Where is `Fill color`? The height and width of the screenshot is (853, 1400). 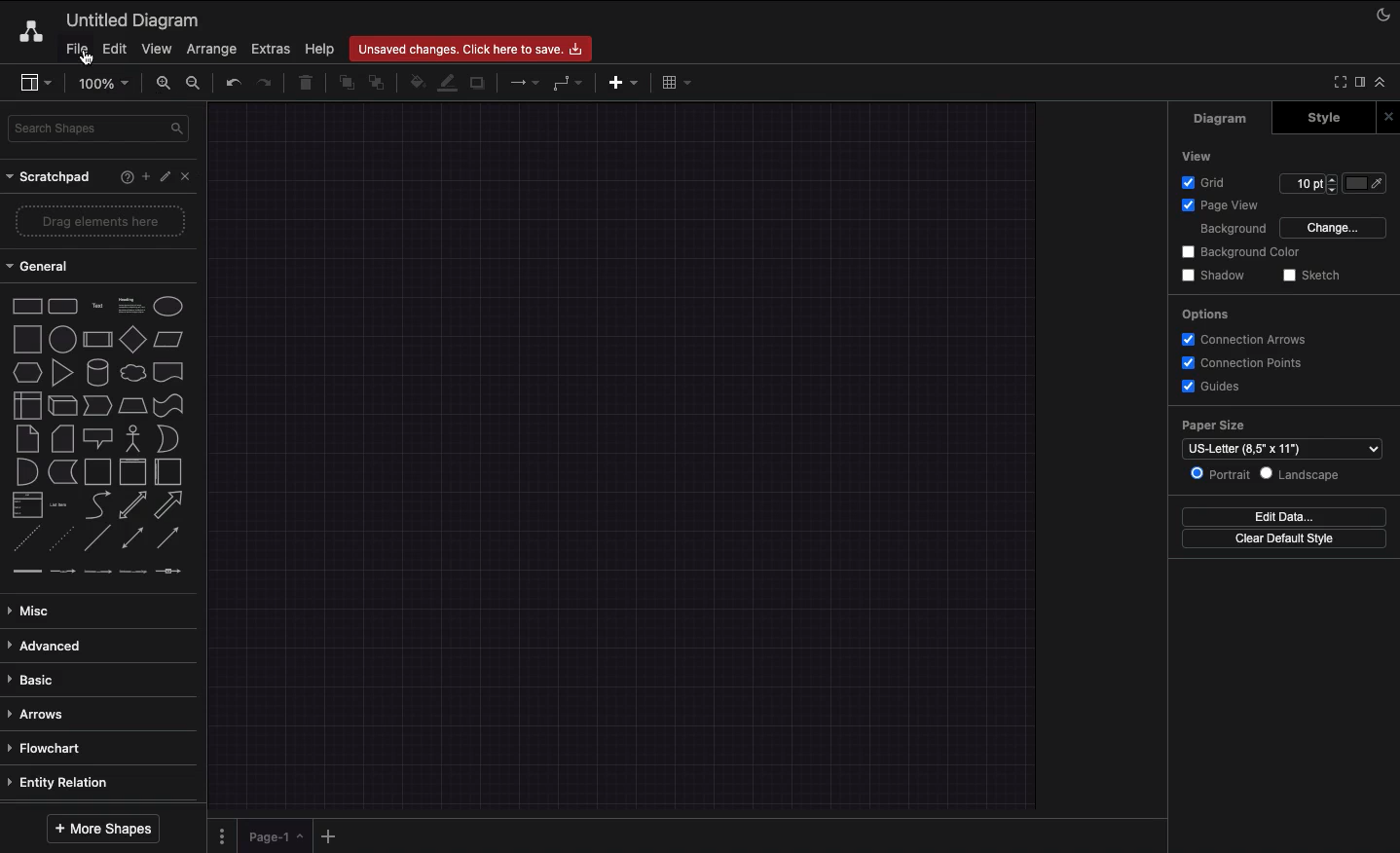
Fill color is located at coordinates (416, 85).